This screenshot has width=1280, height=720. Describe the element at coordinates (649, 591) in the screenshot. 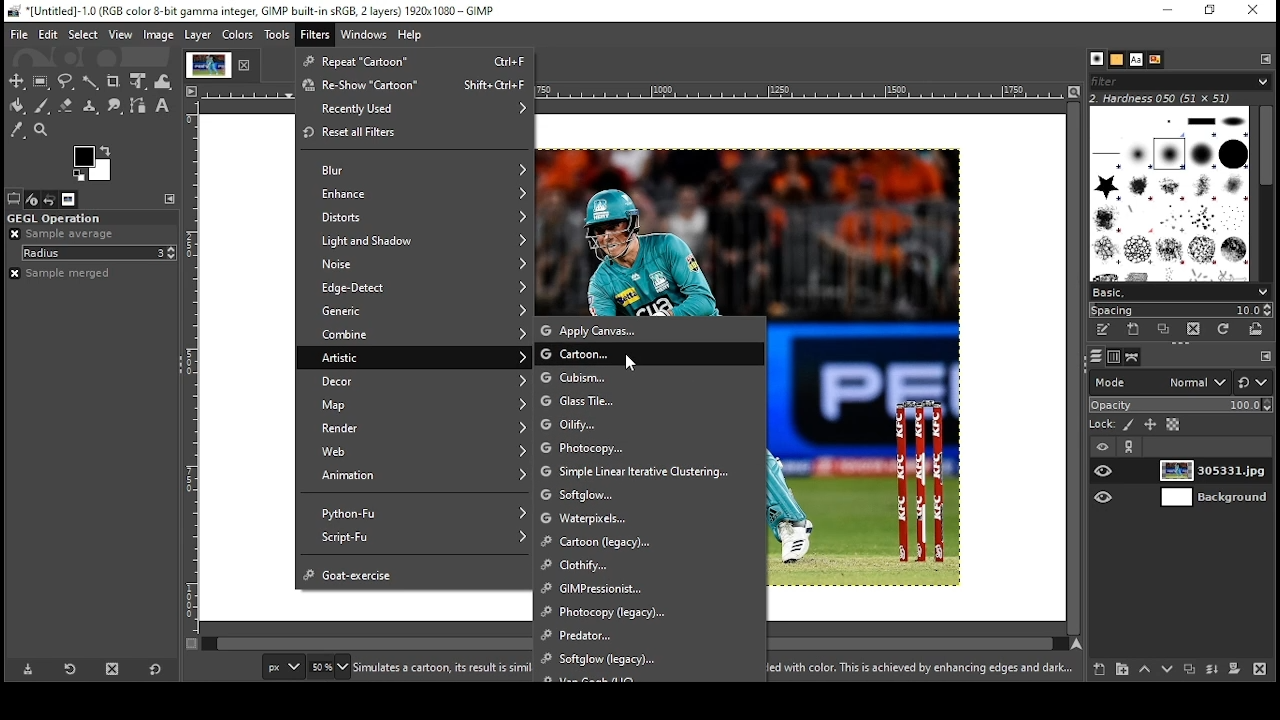

I see `GIMPressionist` at that location.